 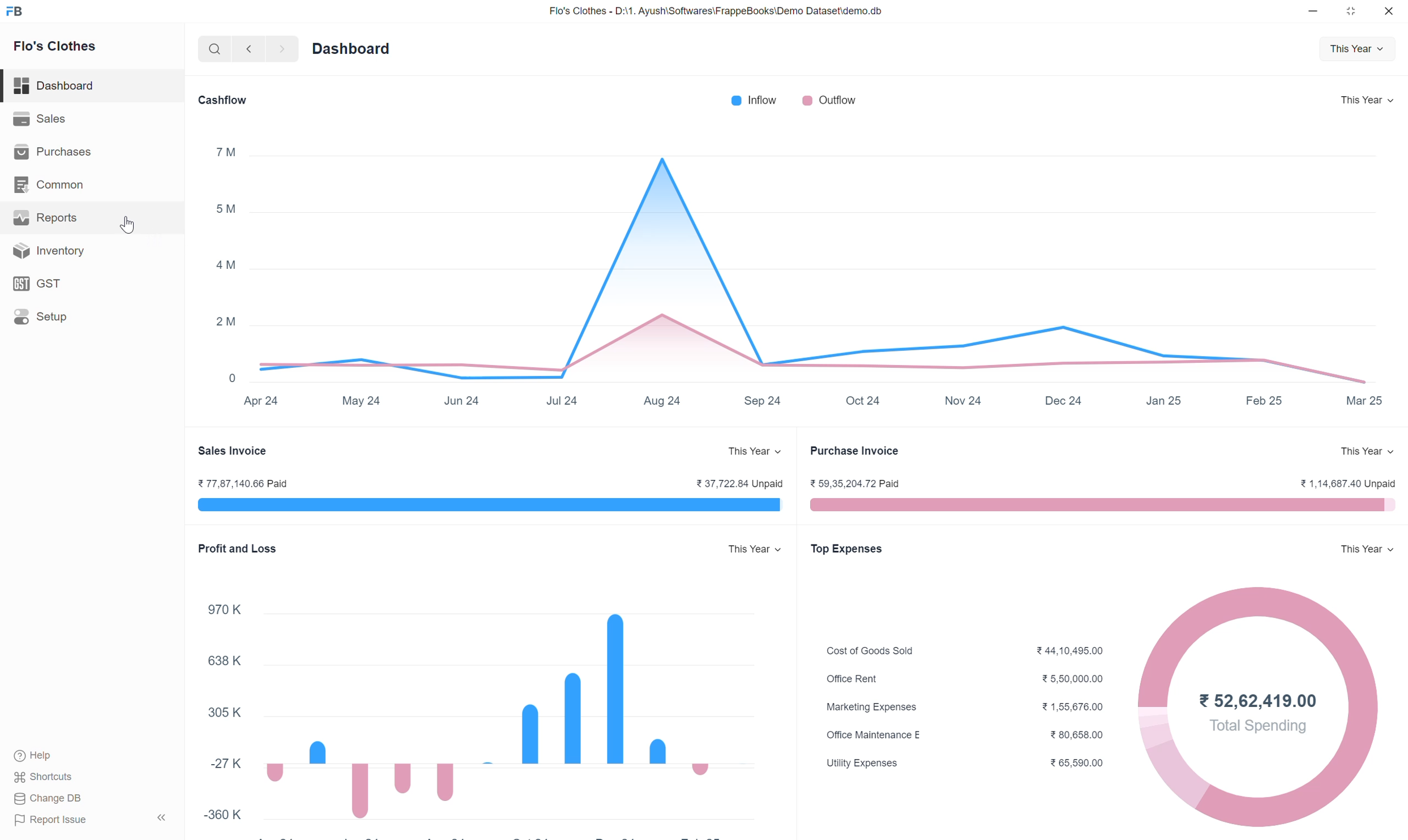 I want to click on 5,50,000.00, so click(x=1081, y=681).